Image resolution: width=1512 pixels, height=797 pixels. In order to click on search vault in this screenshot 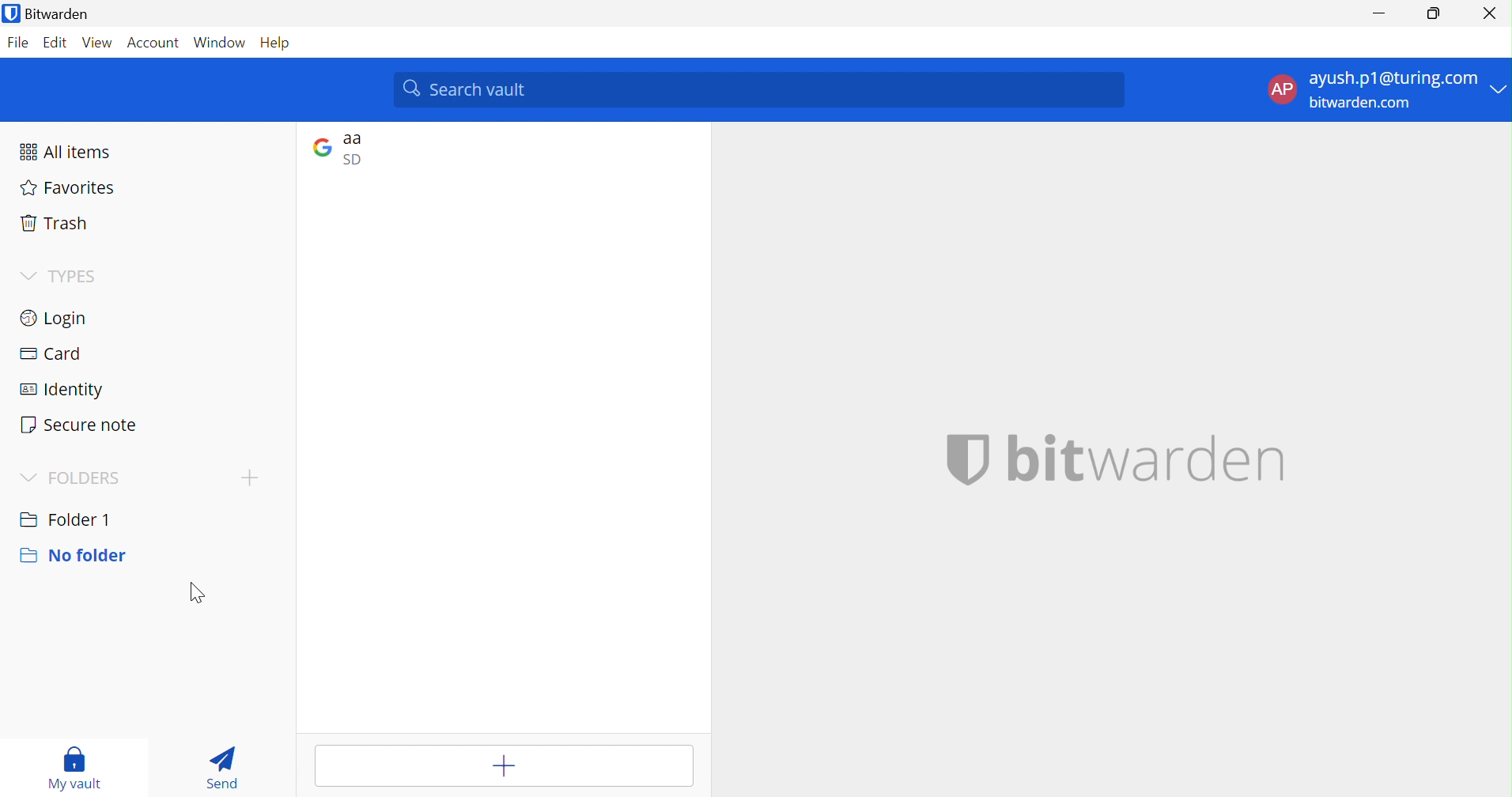, I will do `click(762, 90)`.